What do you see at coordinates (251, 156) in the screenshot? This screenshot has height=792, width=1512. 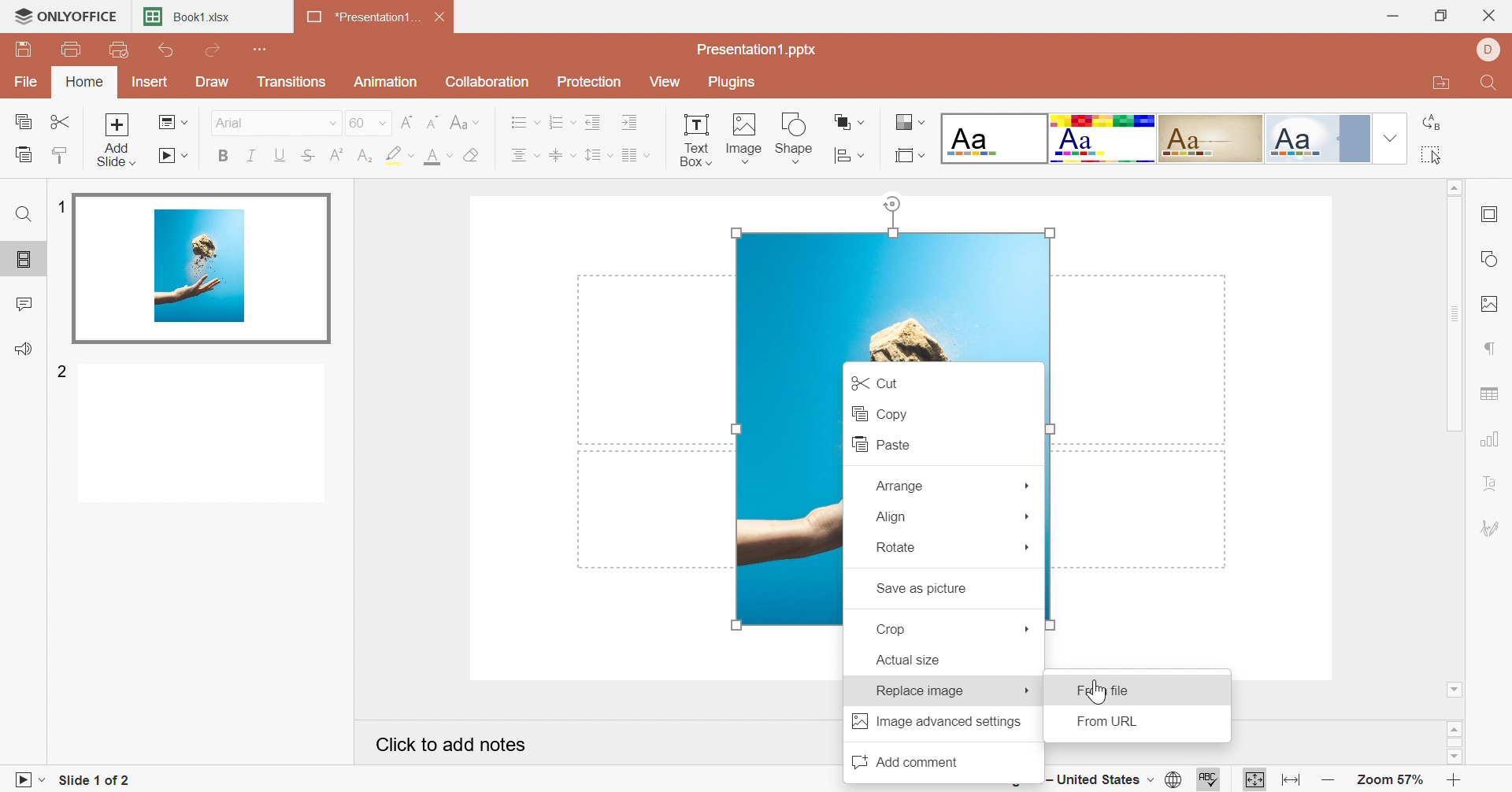 I see `Italic` at bounding box center [251, 156].